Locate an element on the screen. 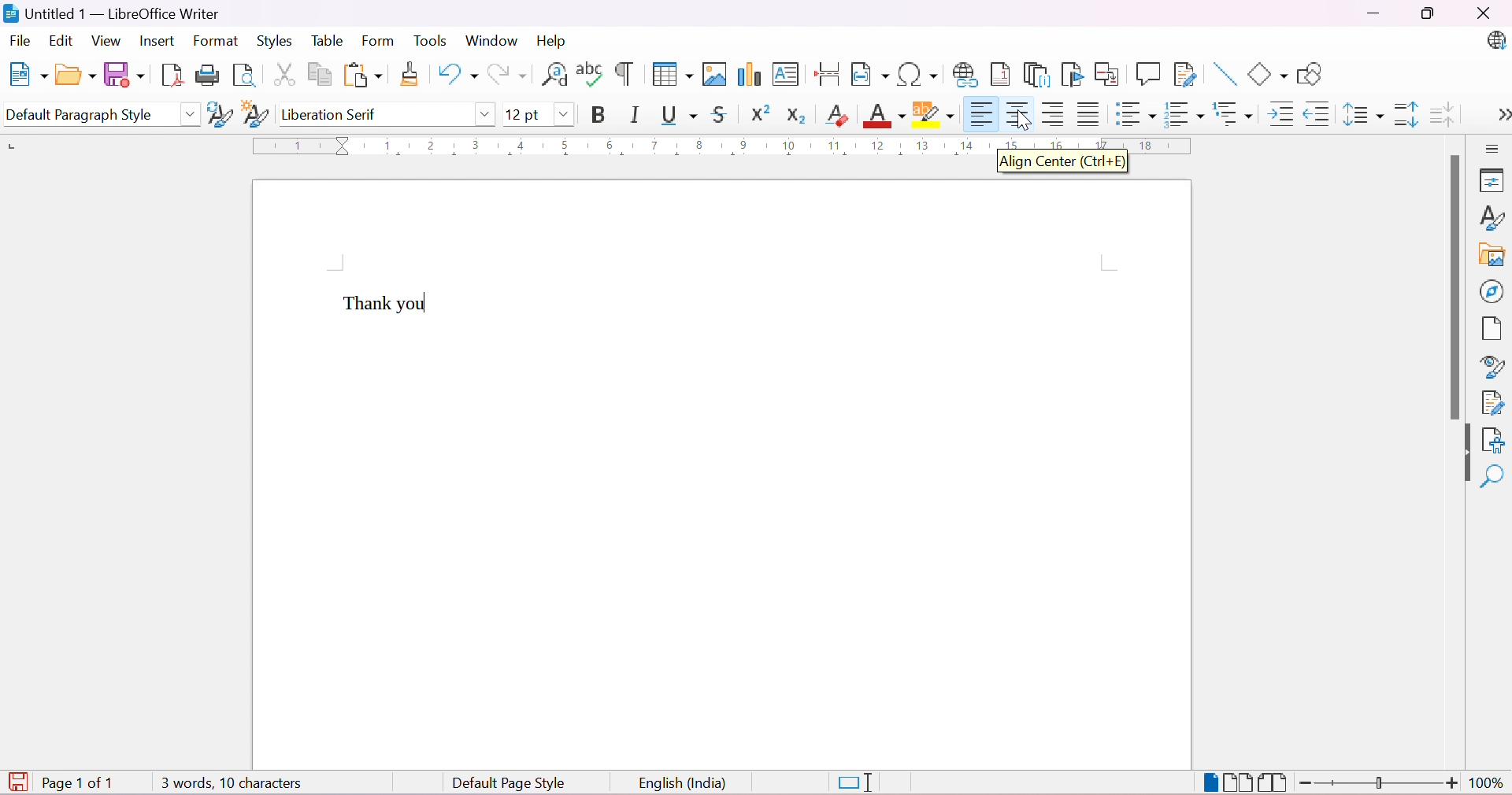 The height and width of the screenshot is (795, 1512). Increase Indent is located at coordinates (1278, 113).